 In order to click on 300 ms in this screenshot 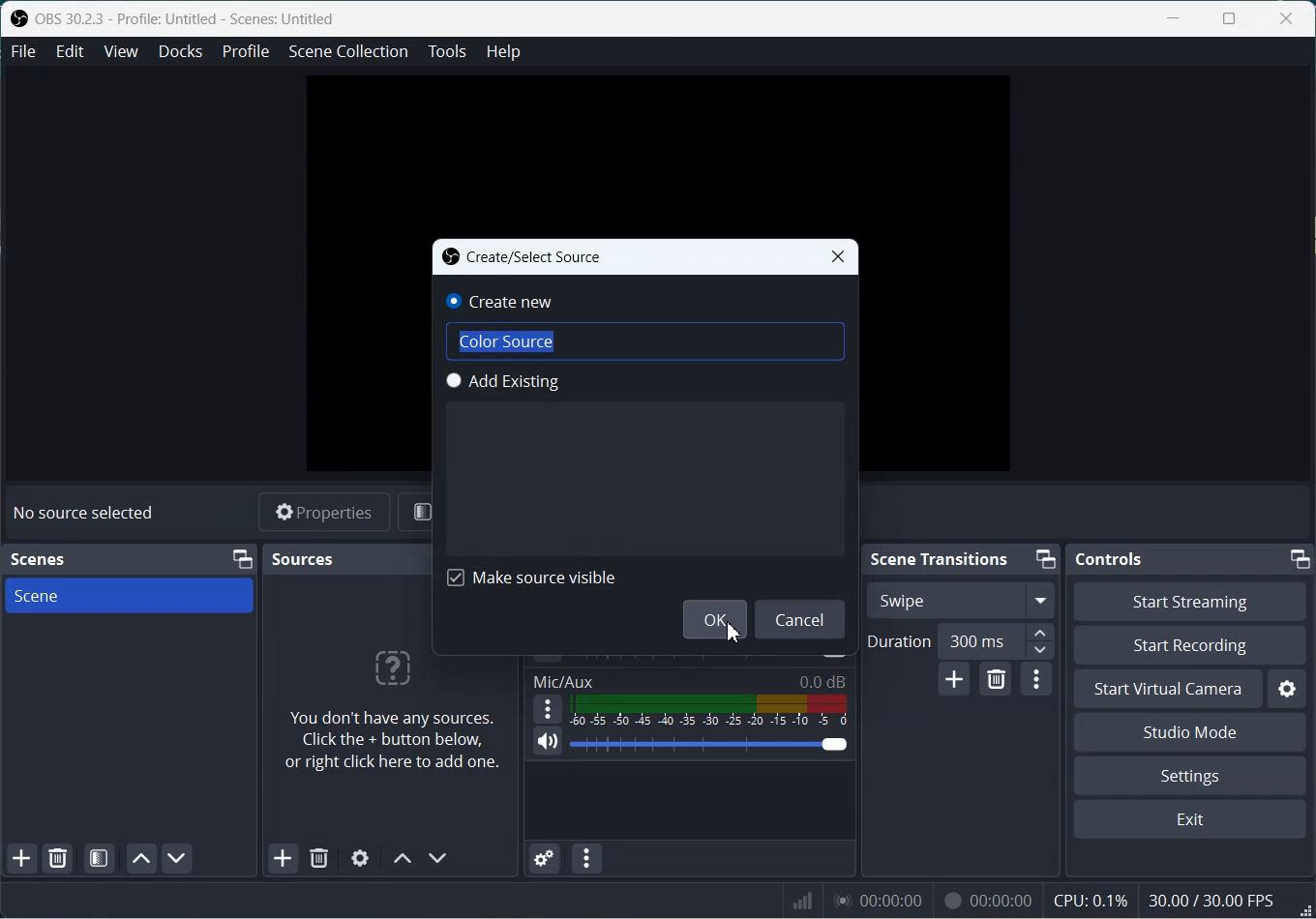, I will do `click(998, 642)`.